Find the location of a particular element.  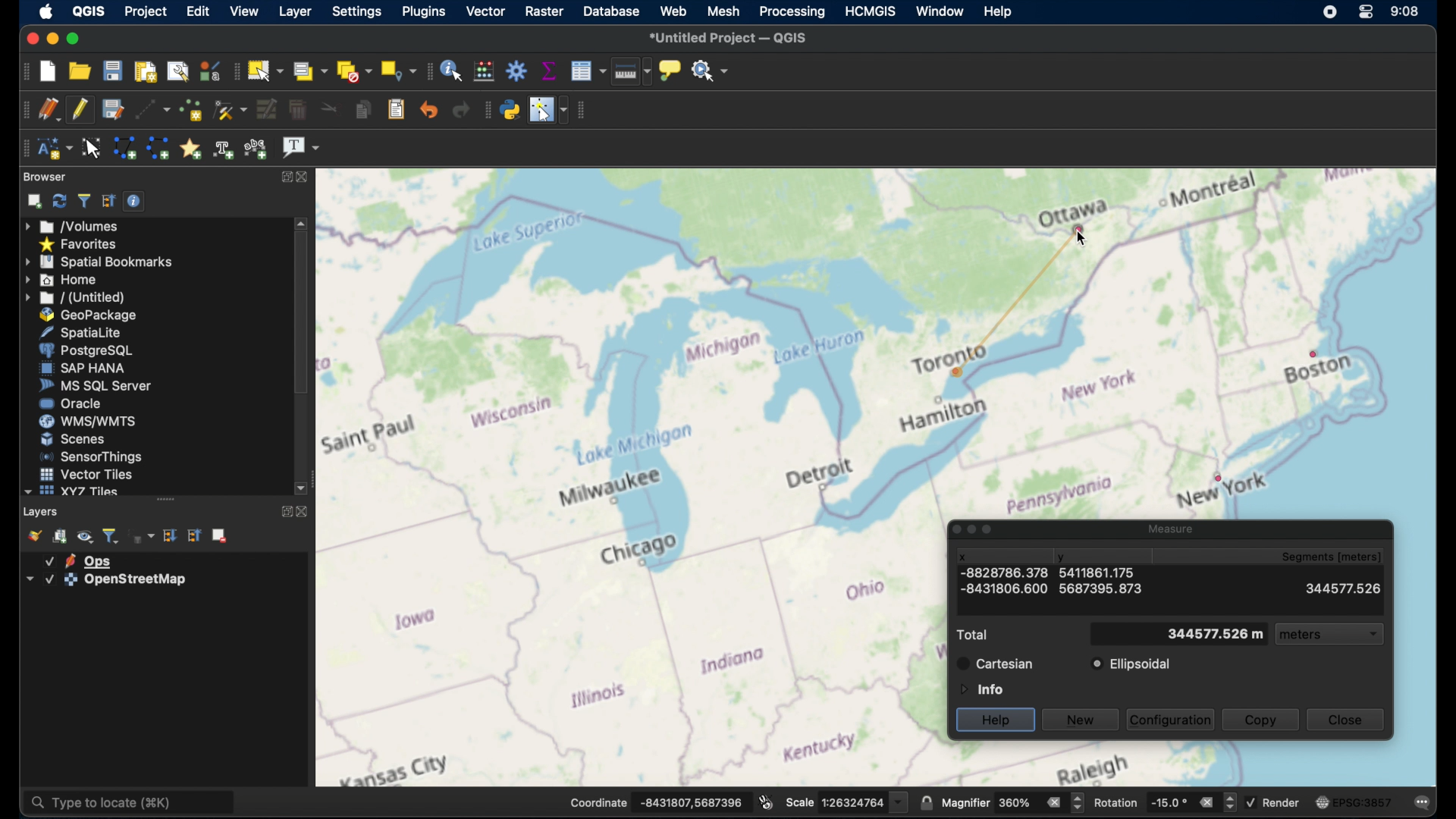

toggle editing is located at coordinates (80, 110).